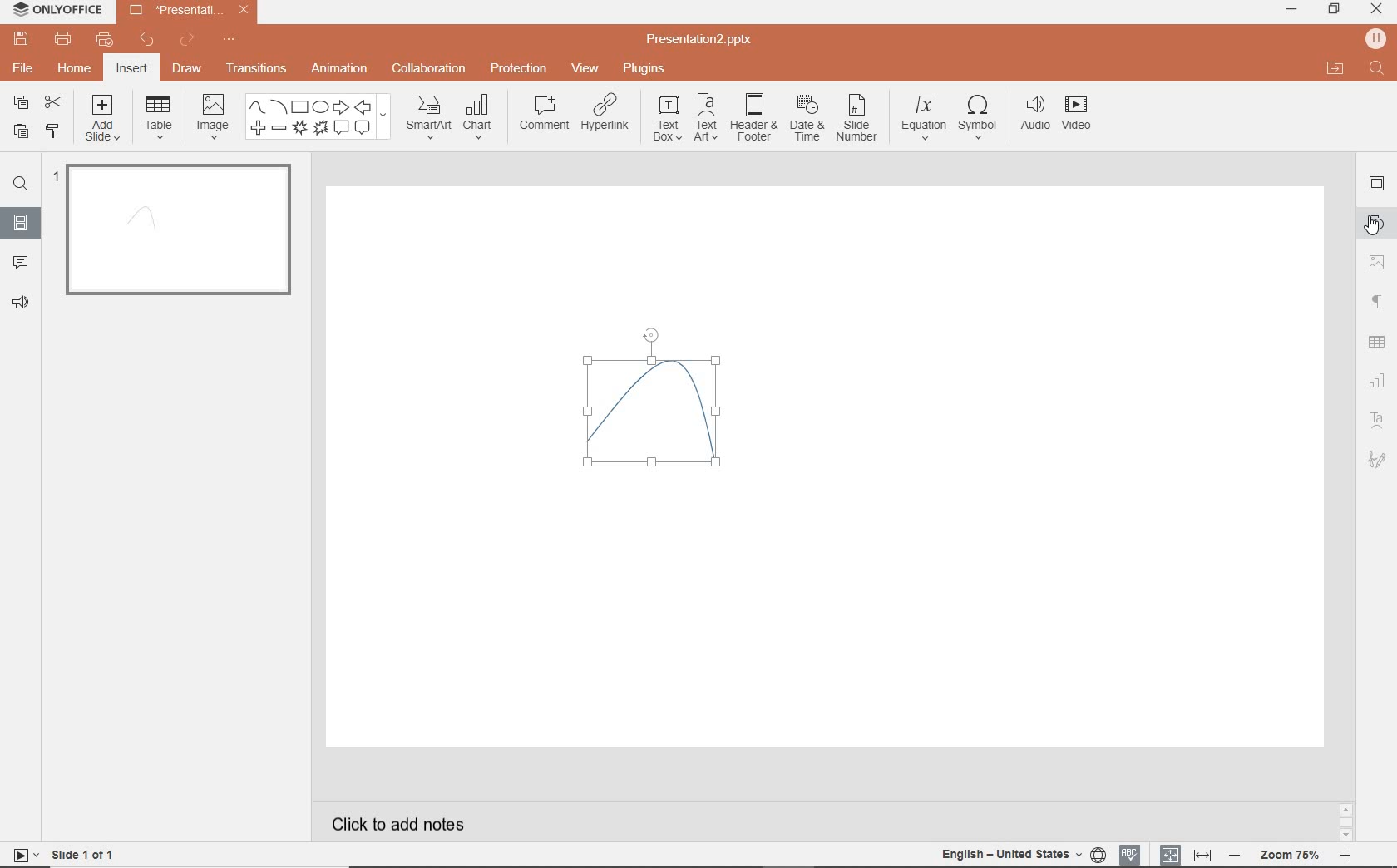 This screenshot has width=1397, height=868. I want to click on CHART, so click(481, 119).